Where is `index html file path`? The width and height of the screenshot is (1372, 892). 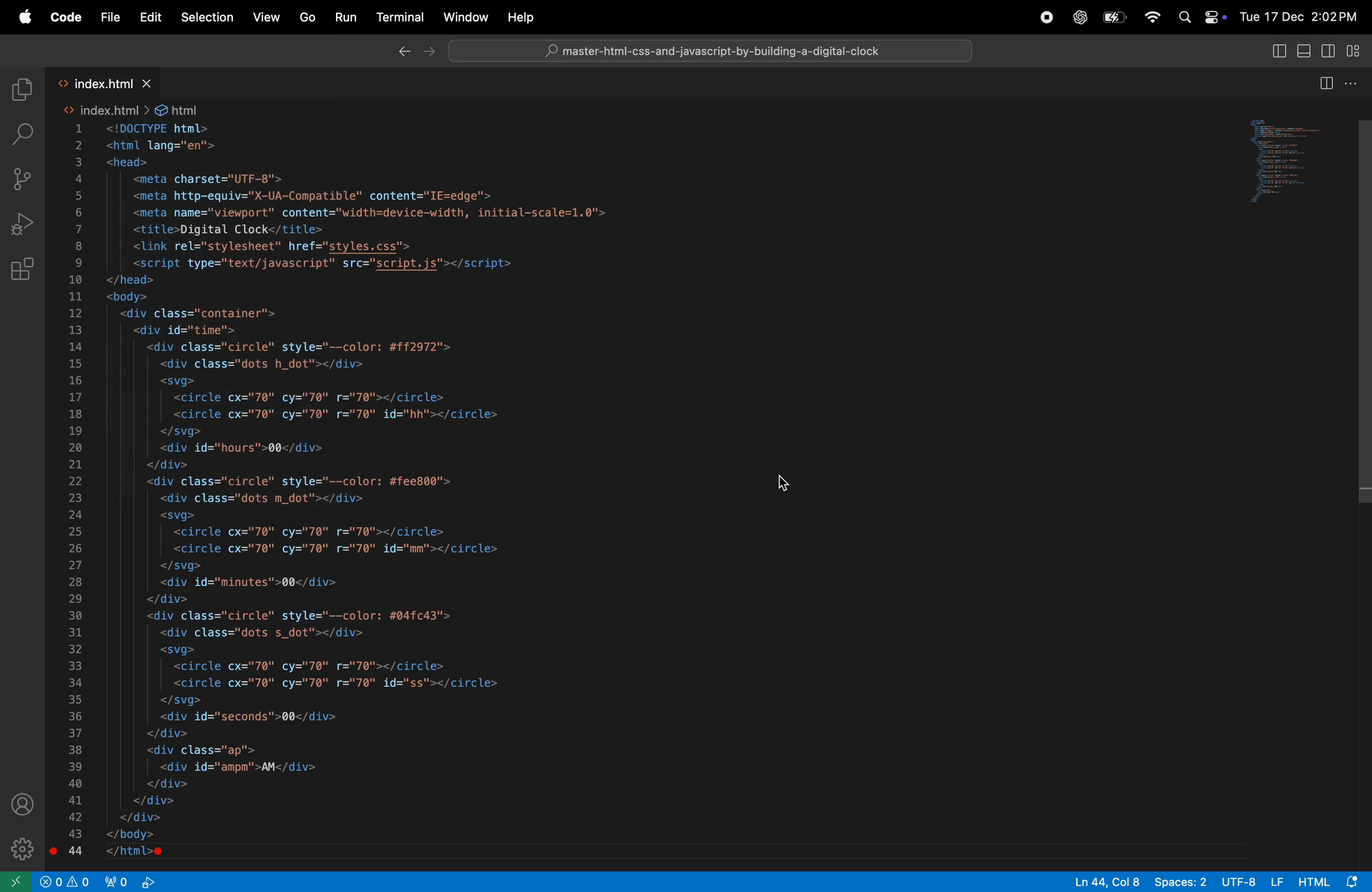
index html file path is located at coordinates (131, 110).